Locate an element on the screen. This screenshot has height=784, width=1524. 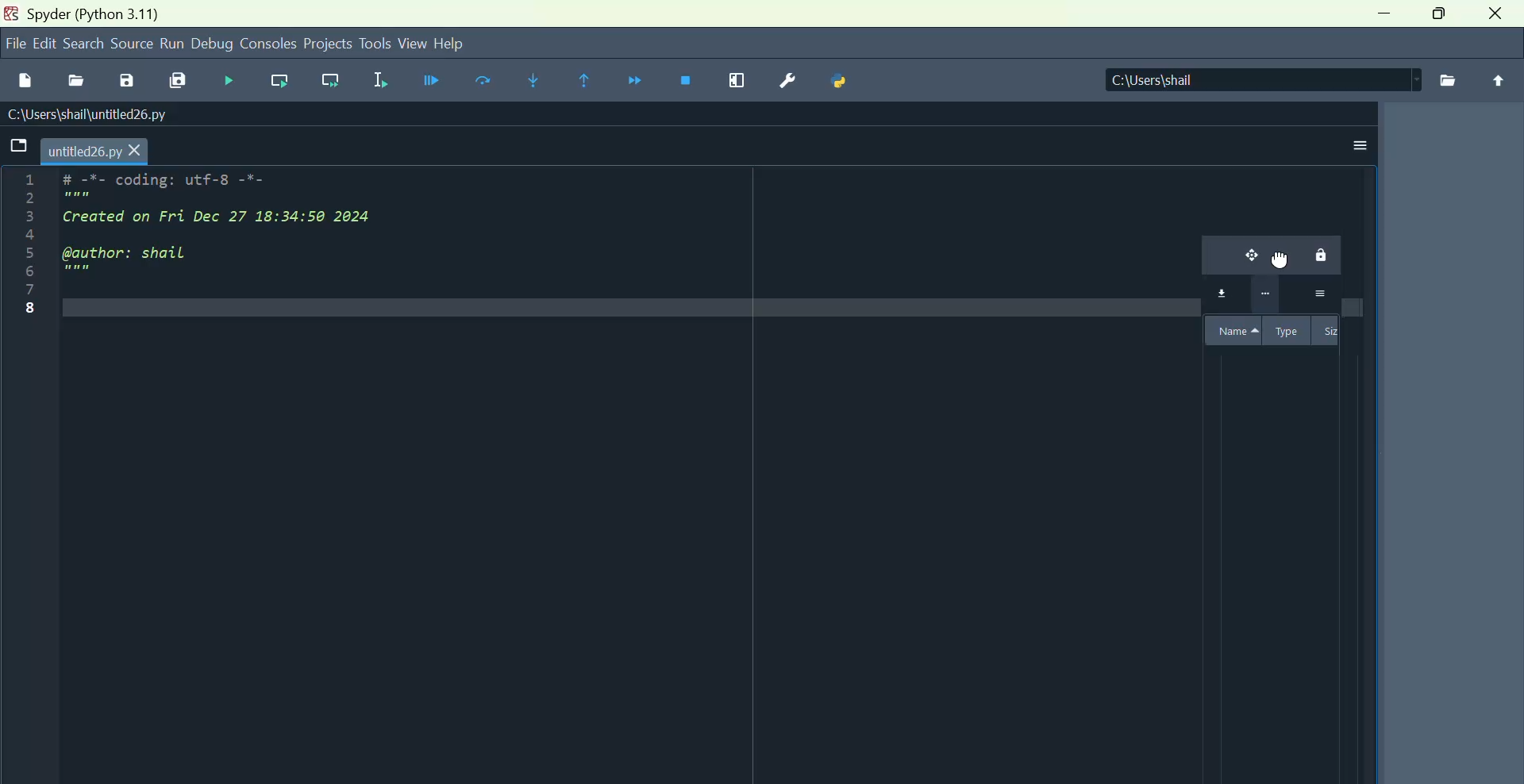
Continue execution until next function is located at coordinates (638, 83).